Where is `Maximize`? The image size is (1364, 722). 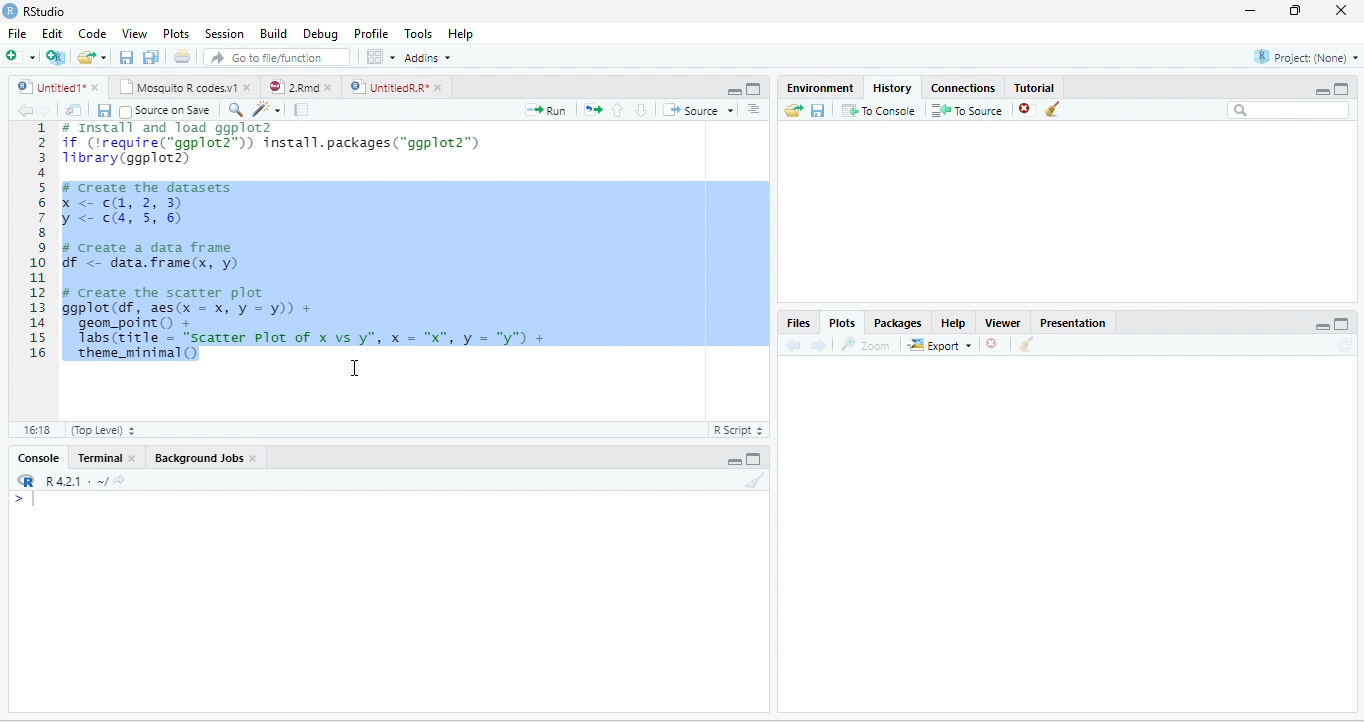
Maximize is located at coordinates (755, 89).